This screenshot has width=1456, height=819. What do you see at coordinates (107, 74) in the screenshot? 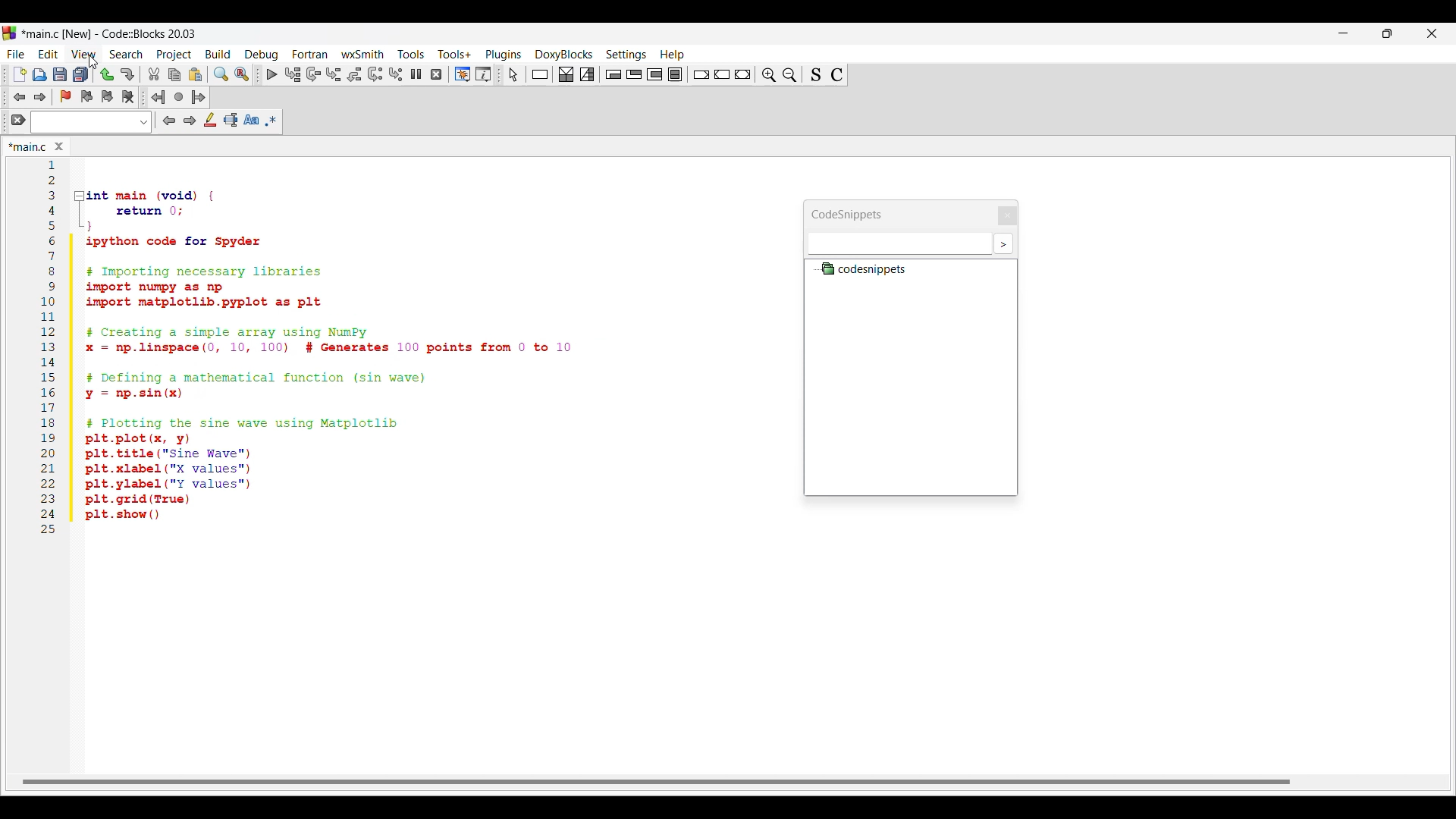
I see `Undo` at bounding box center [107, 74].